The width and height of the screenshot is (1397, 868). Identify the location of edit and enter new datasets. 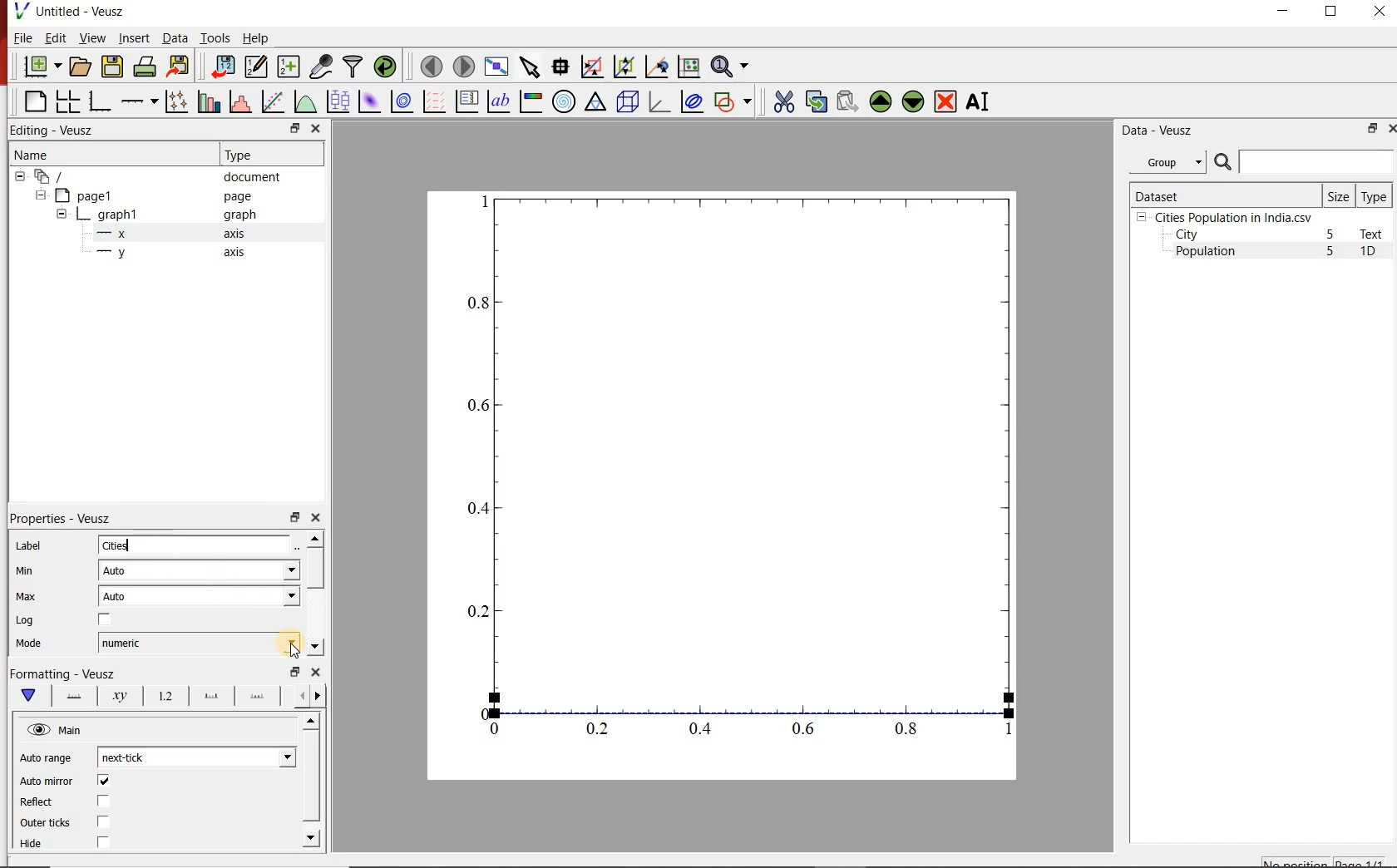
(254, 67).